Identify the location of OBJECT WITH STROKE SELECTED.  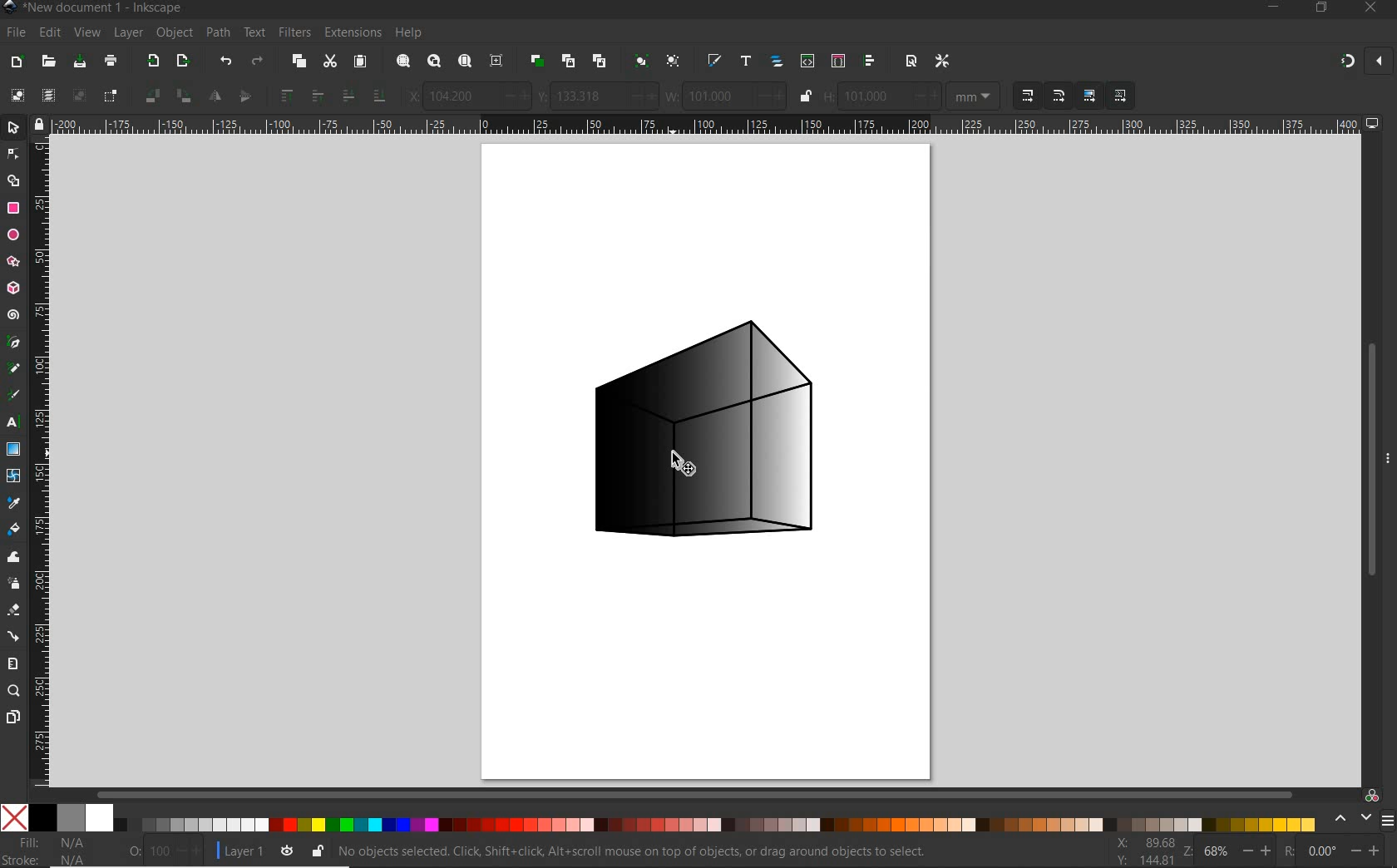
(698, 437).